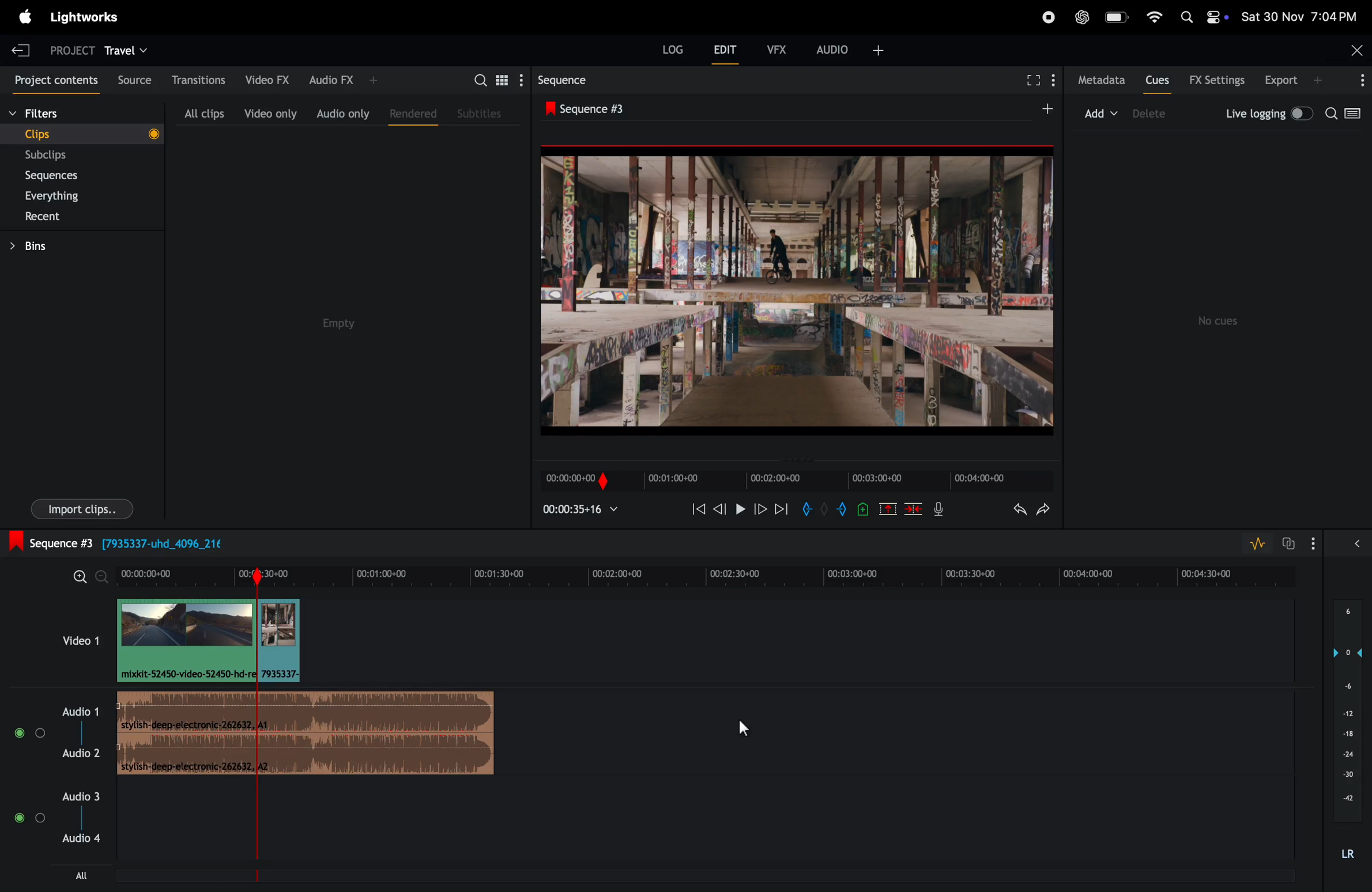 This screenshot has width=1372, height=892. What do you see at coordinates (1352, 50) in the screenshot?
I see `close` at bounding box center [1352, 50].